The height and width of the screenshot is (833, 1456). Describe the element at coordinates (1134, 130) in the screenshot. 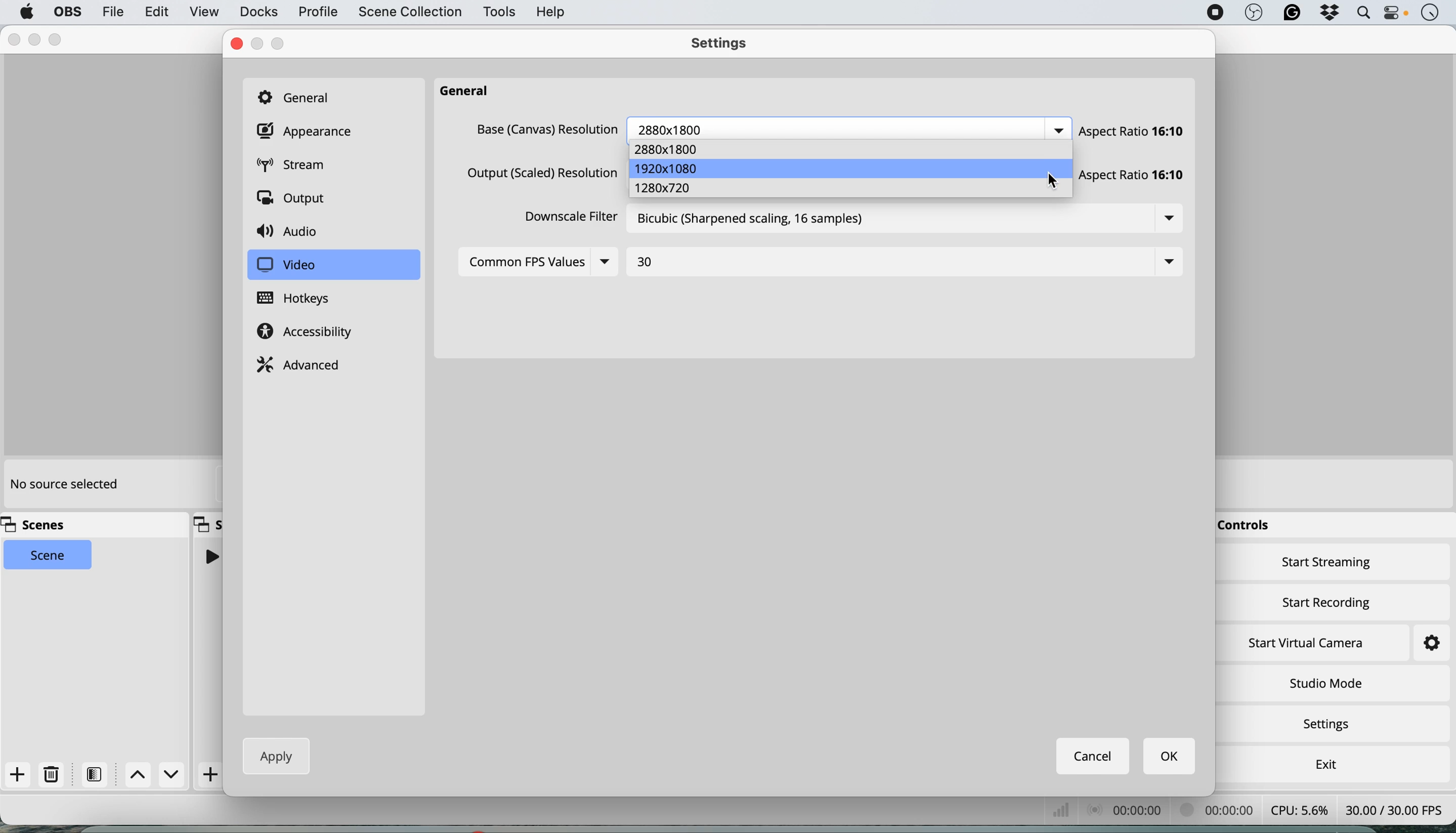

I see `aspect ratio` at that location.